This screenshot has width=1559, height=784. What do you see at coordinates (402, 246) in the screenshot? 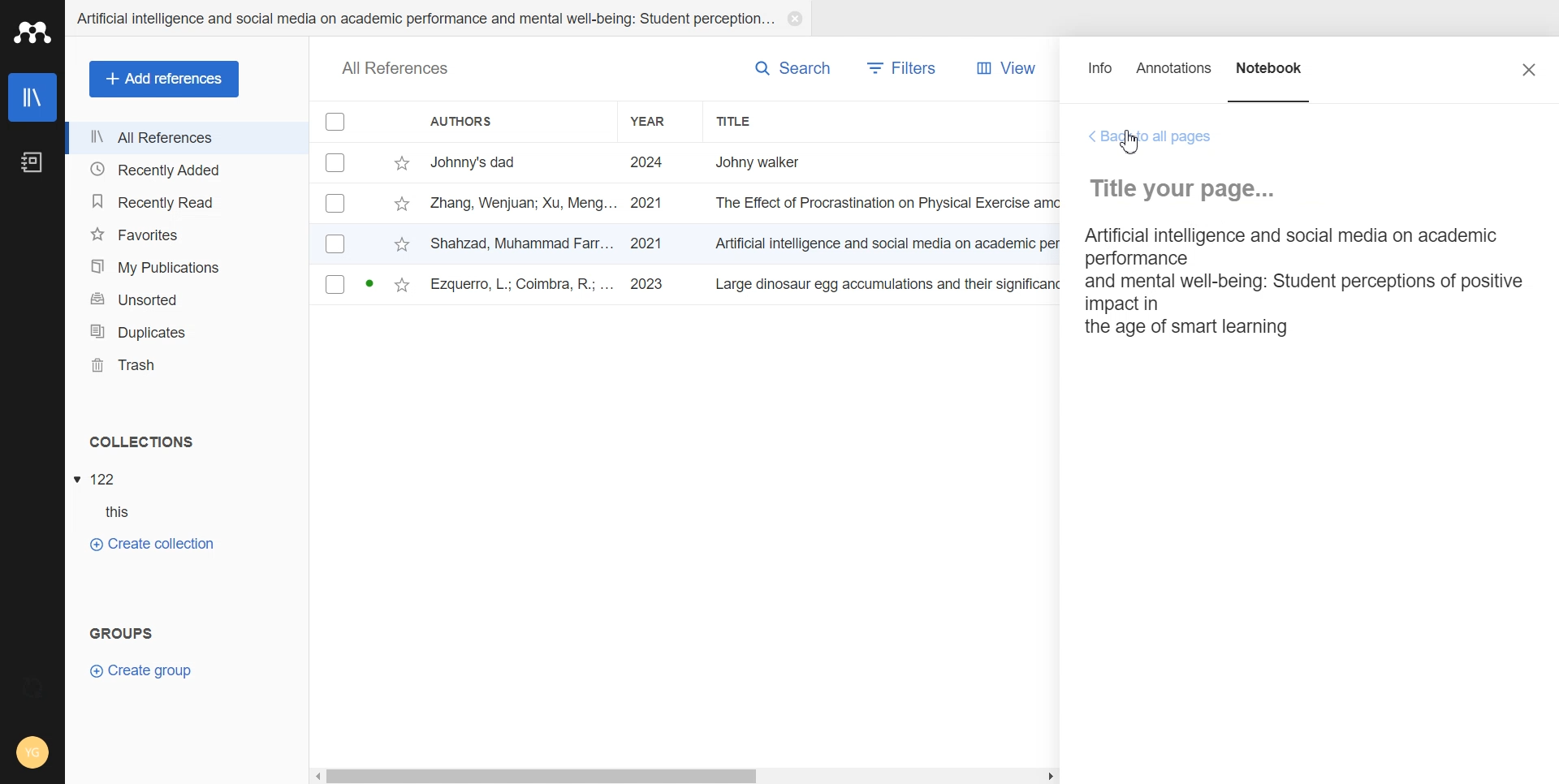
I see `star` at bounding box center [402, 246].